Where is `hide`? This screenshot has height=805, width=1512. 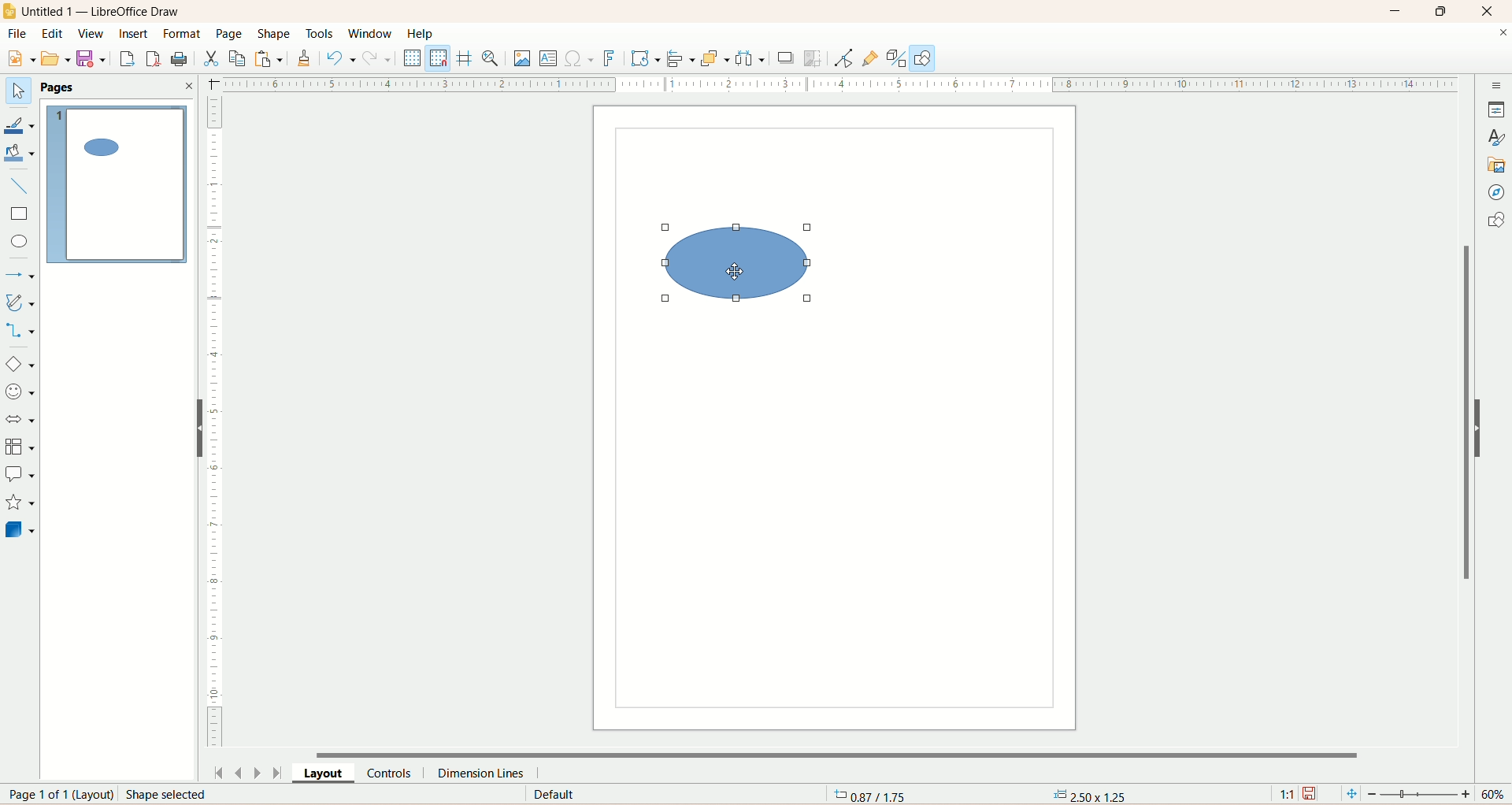 hide is located at coordinates (1482, 427).